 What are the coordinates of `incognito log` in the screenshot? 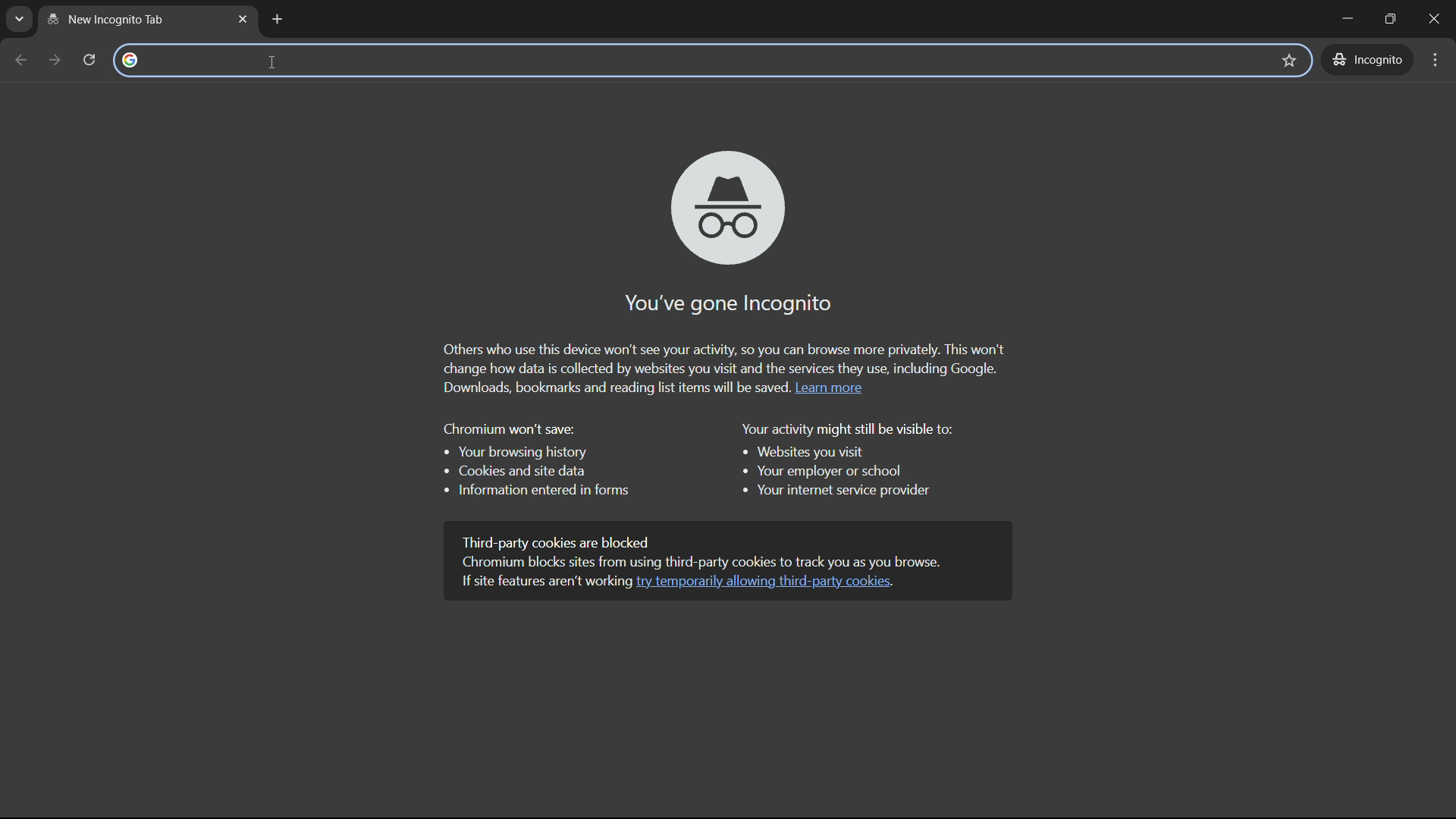 It's located at (723, 205).